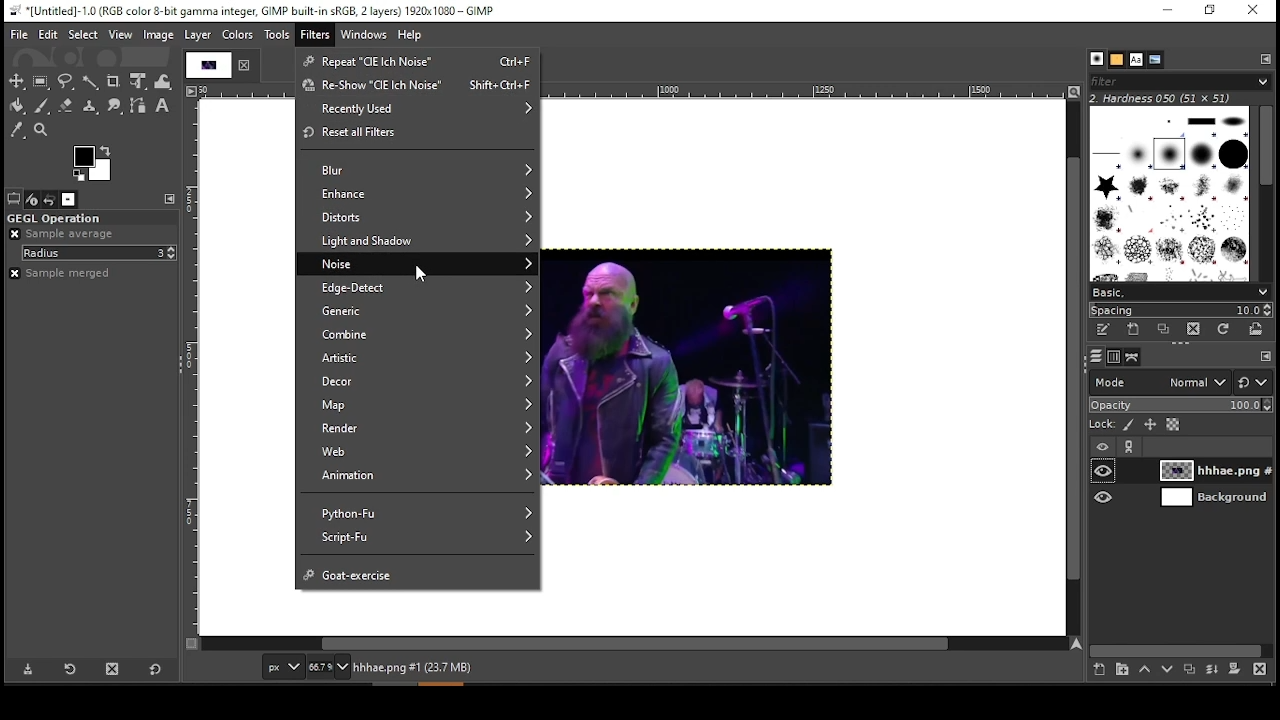 This screenshot has height=720, width=1280. Describe the element at coordinates (89, 219) in the screenshot. I see `GEGL operation` at that location.